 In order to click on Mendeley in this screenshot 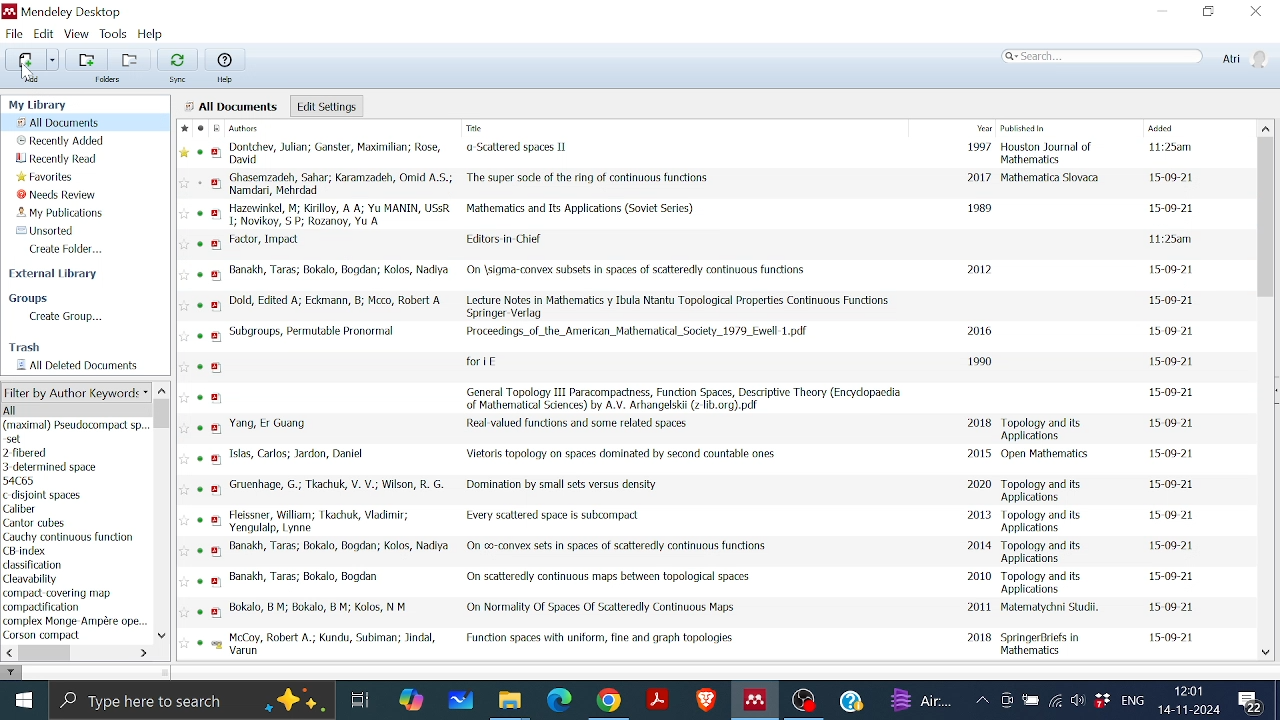, I will do `click(757, 701)`.